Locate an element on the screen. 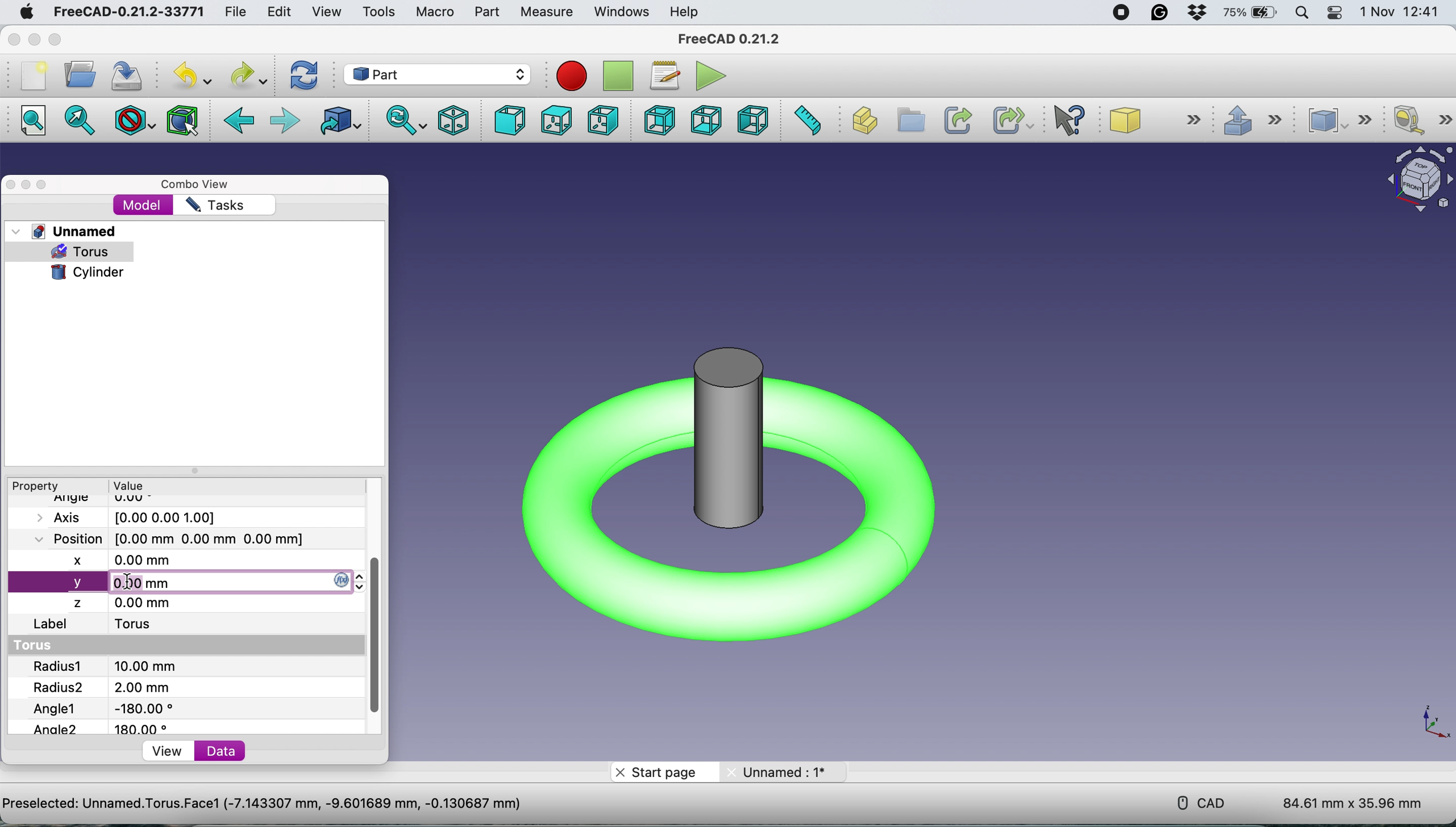  grammarly is located at coordinates (1162, 15).